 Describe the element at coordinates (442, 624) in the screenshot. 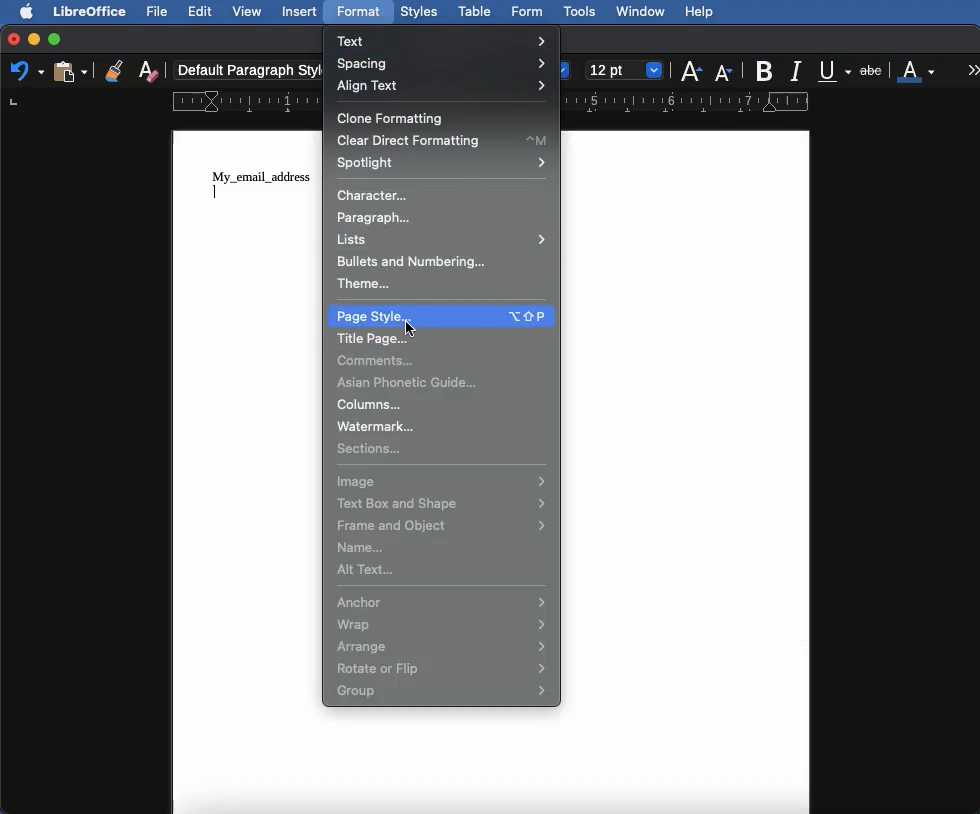

I see `Wrap` at that location.